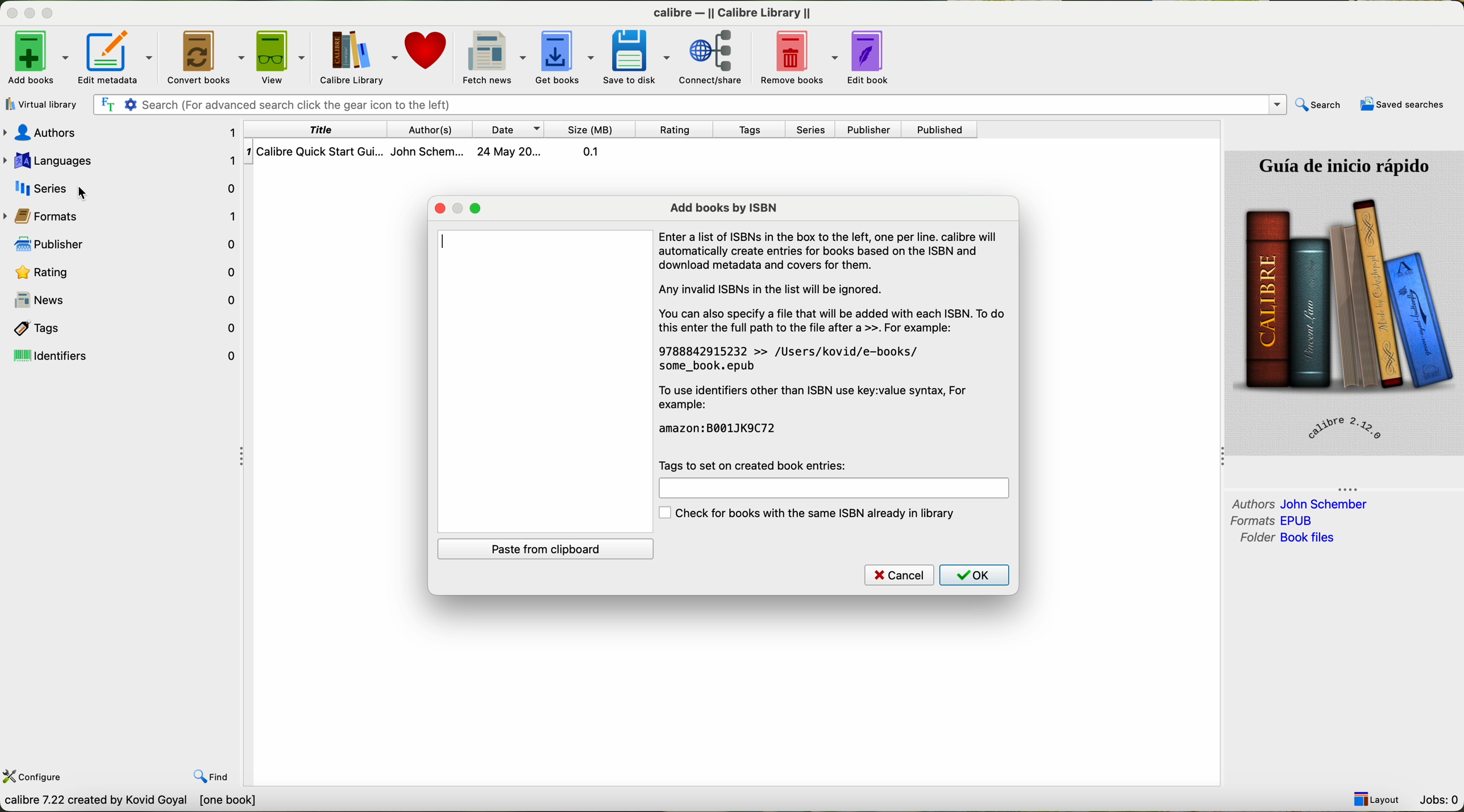  What do you see at coordinates (130, 299) in the screenshot?
I see `news` at bounding box center [130, 299].